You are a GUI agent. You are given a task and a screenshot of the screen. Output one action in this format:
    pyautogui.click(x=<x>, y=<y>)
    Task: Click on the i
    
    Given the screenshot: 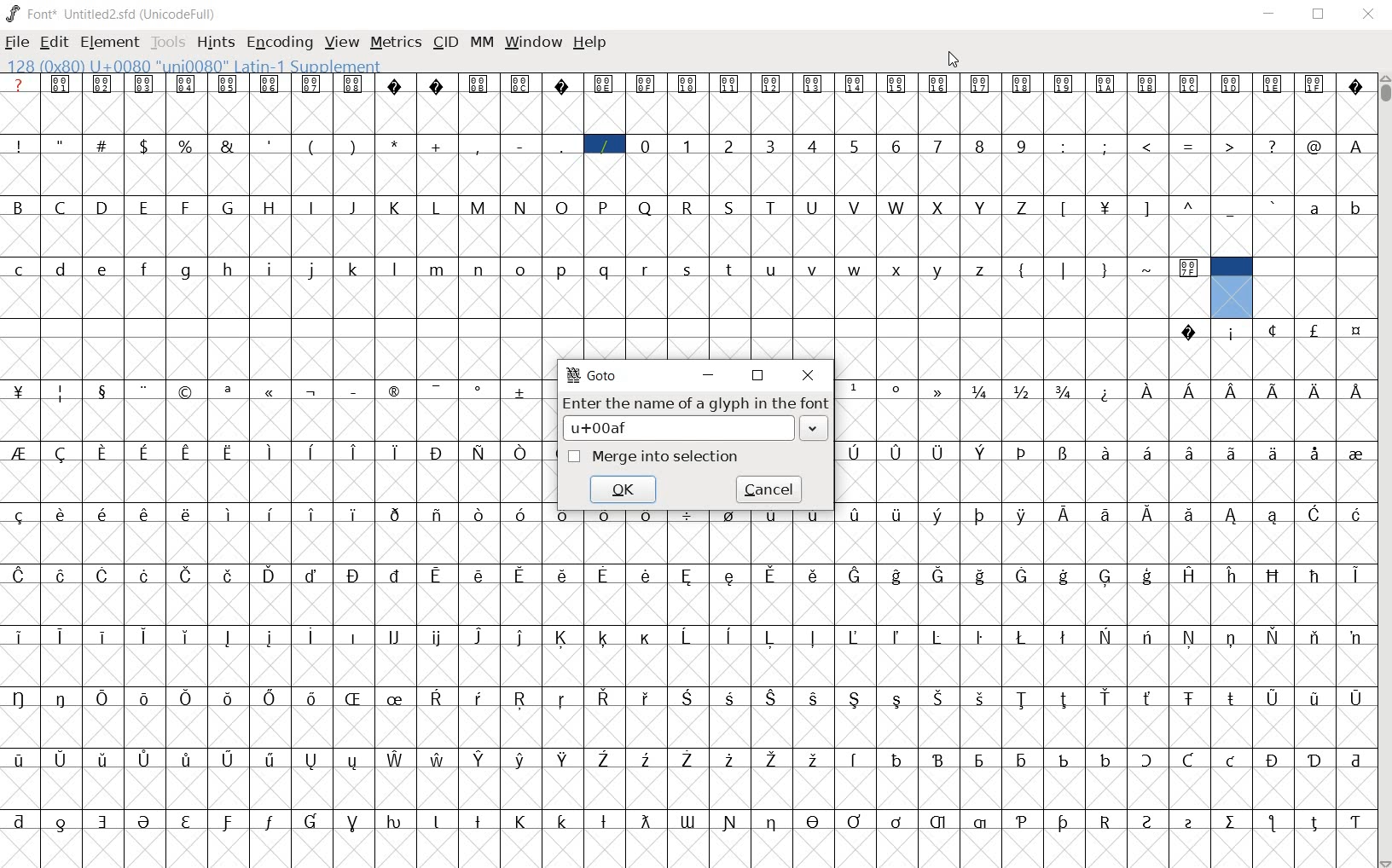 What is the action you would take?
    pyautogui.click(x=270, y=268)
    